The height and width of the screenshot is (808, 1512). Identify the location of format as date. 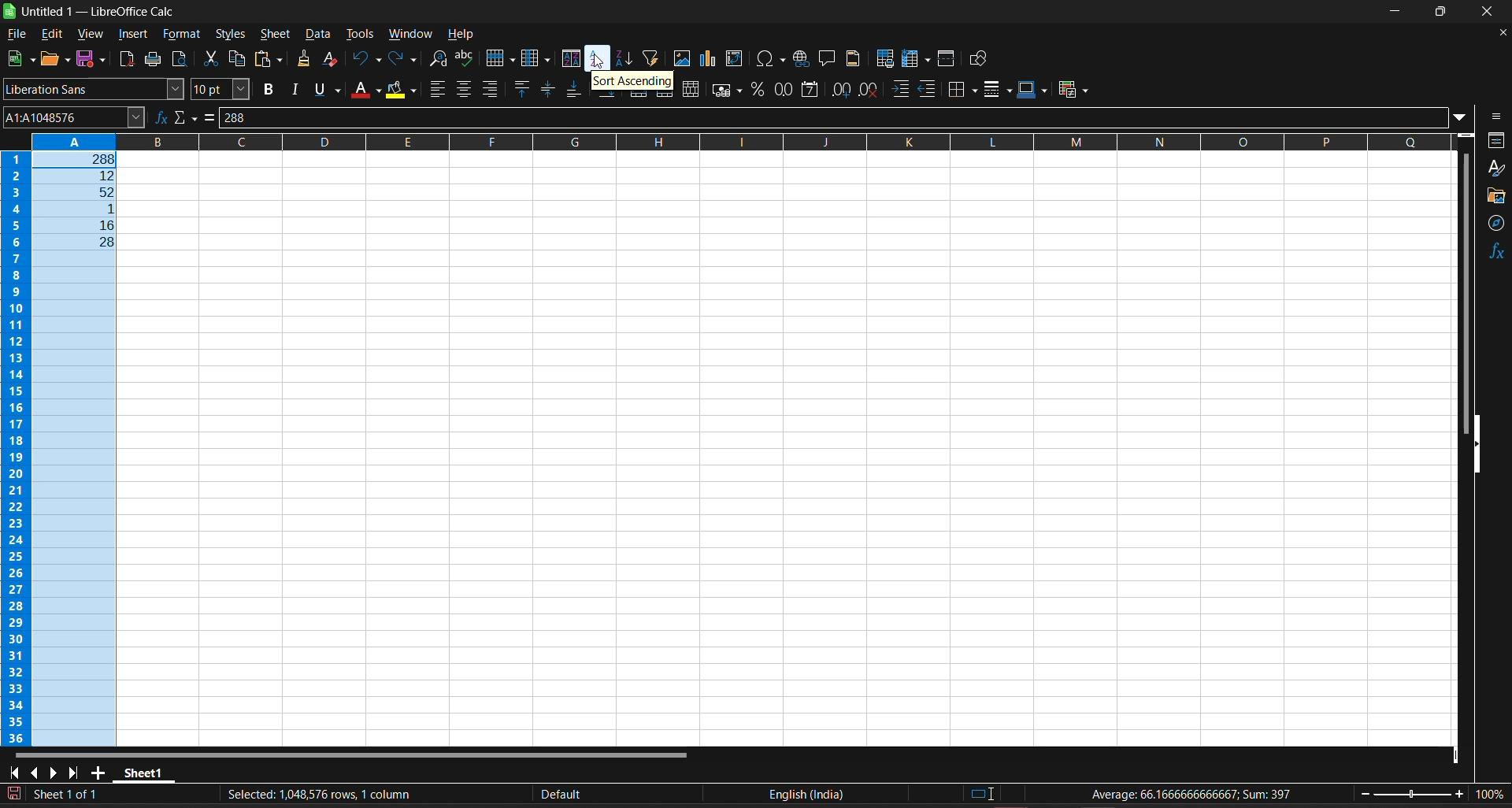
(808, 90).